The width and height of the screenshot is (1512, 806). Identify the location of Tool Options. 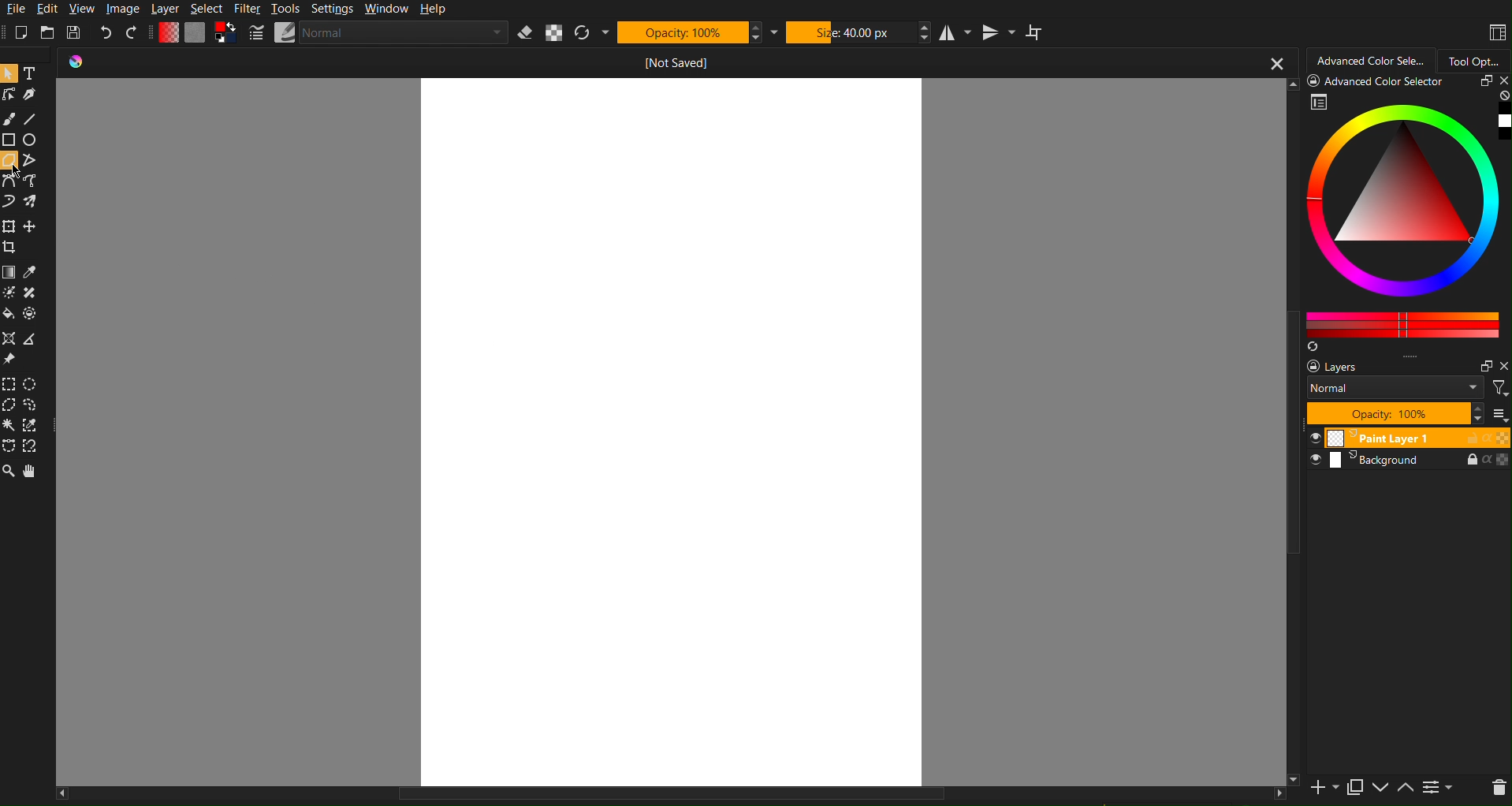
(1476, 58).